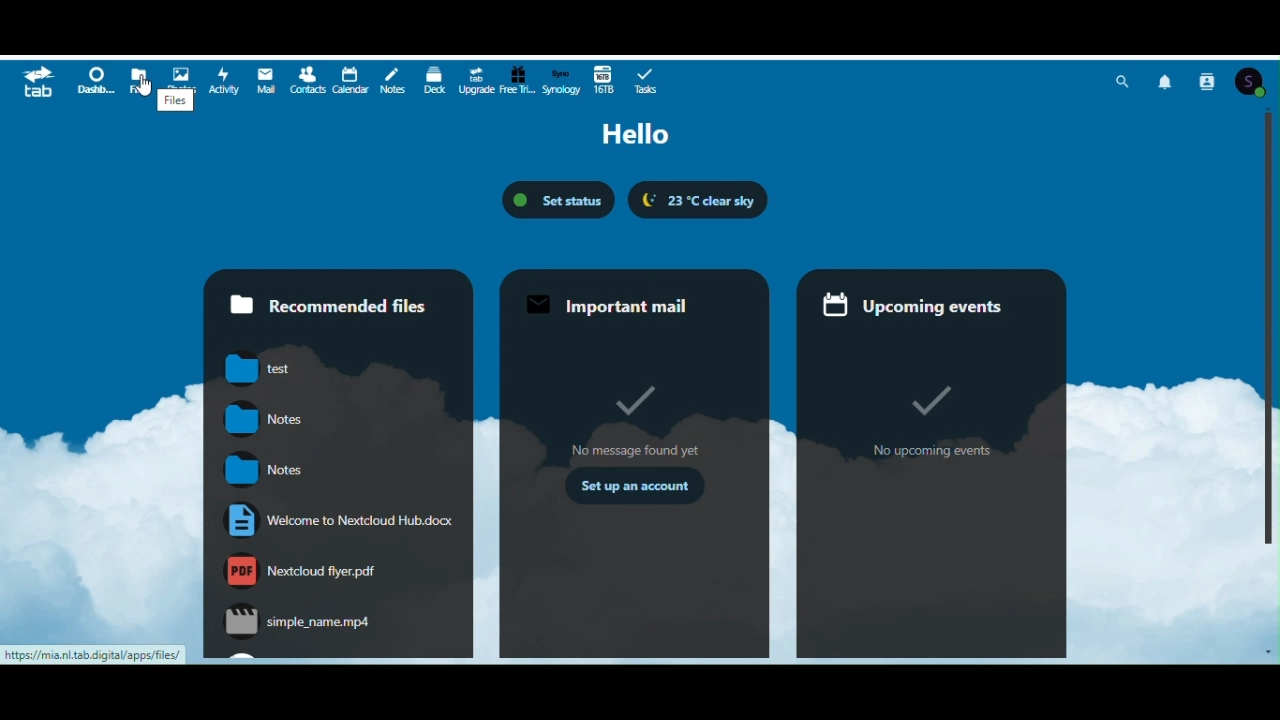 The height and width of the screenshot is (720, 1280). I want to click on Vertical scrollbar, so click(1270, 330).